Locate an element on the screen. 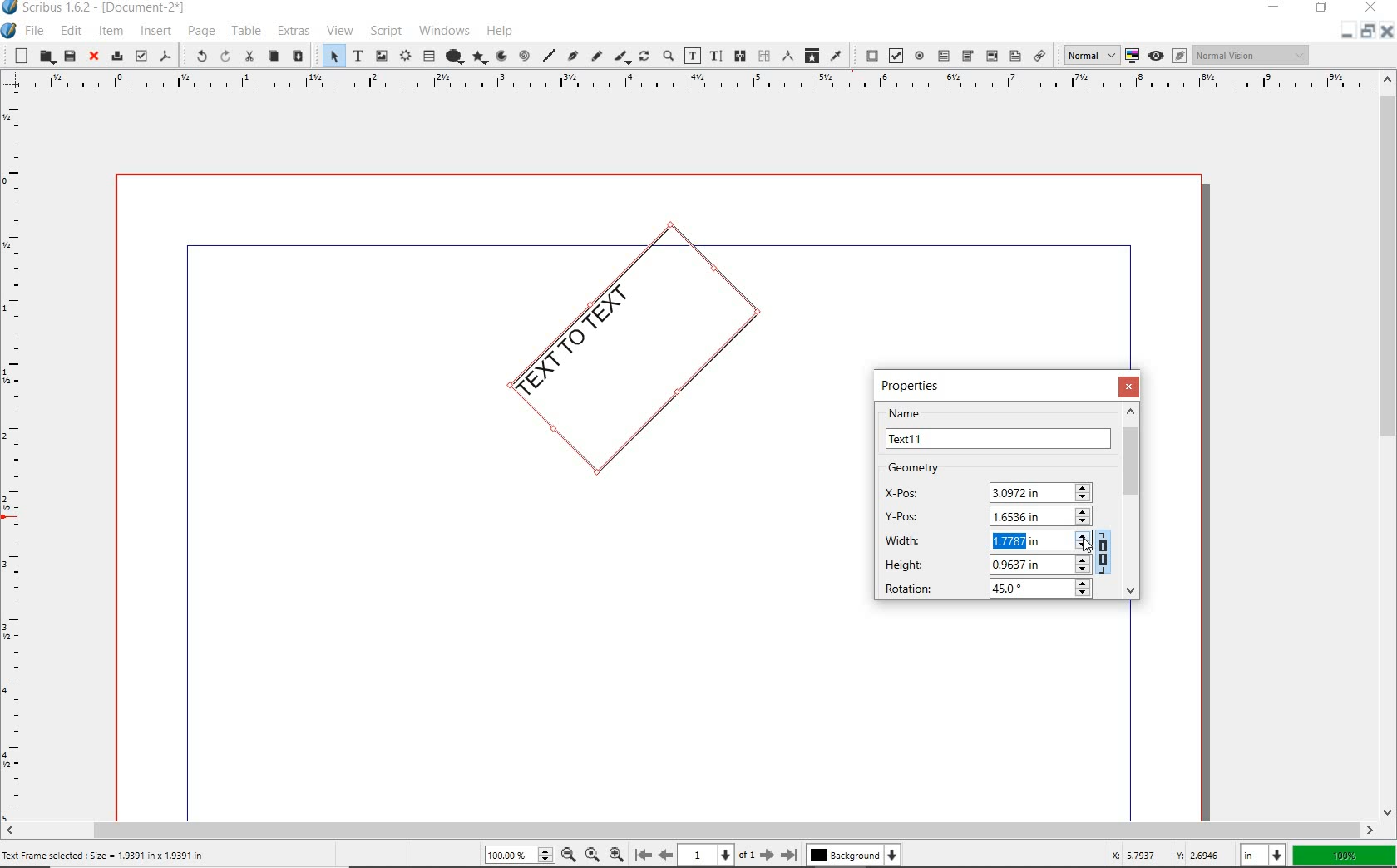 Image resolution: width=1397 pixels, height=868 pixels. Bezier curve is located at coordinates (572, 55).